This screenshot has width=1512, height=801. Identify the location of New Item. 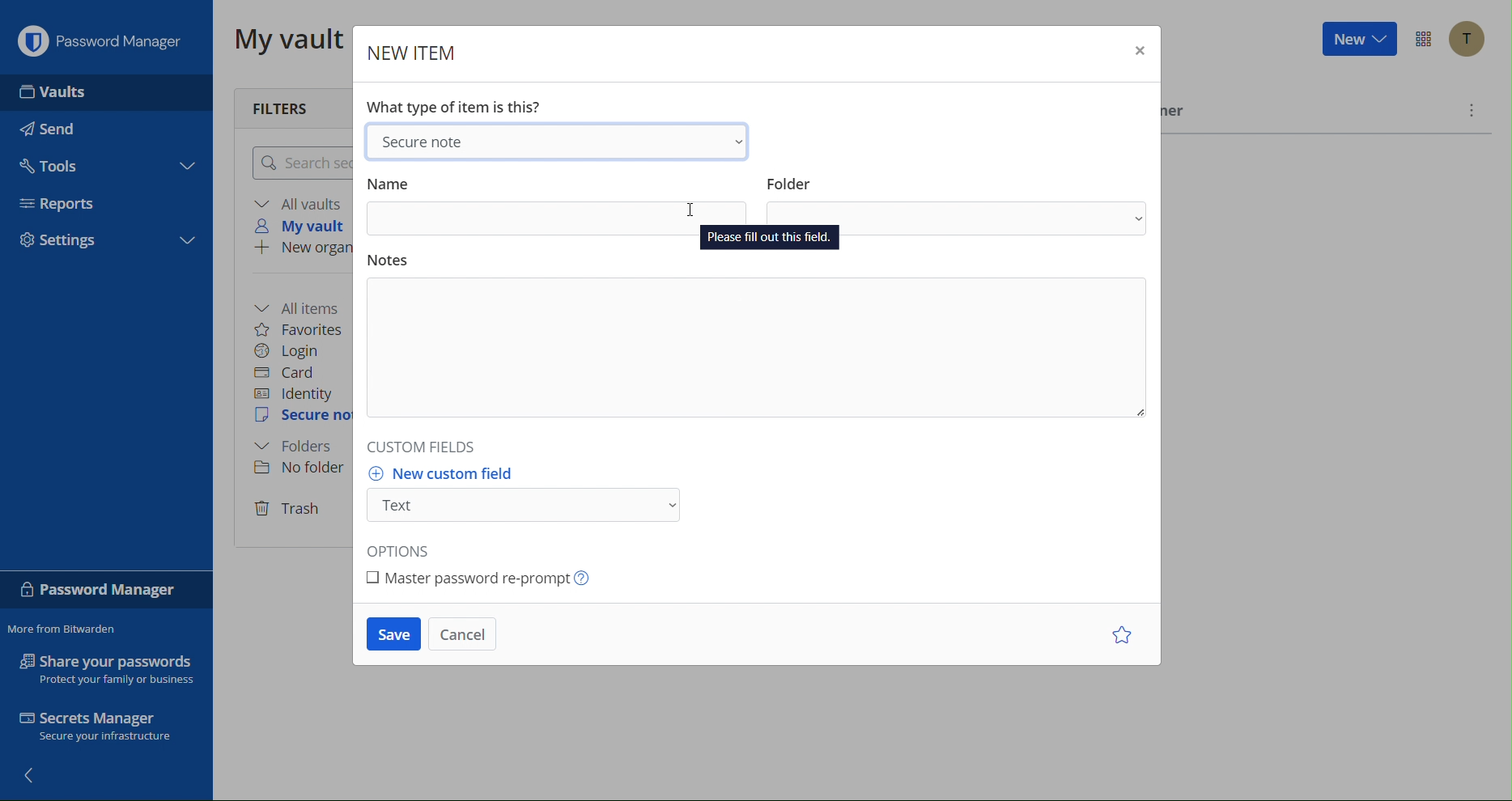
(410, 48).